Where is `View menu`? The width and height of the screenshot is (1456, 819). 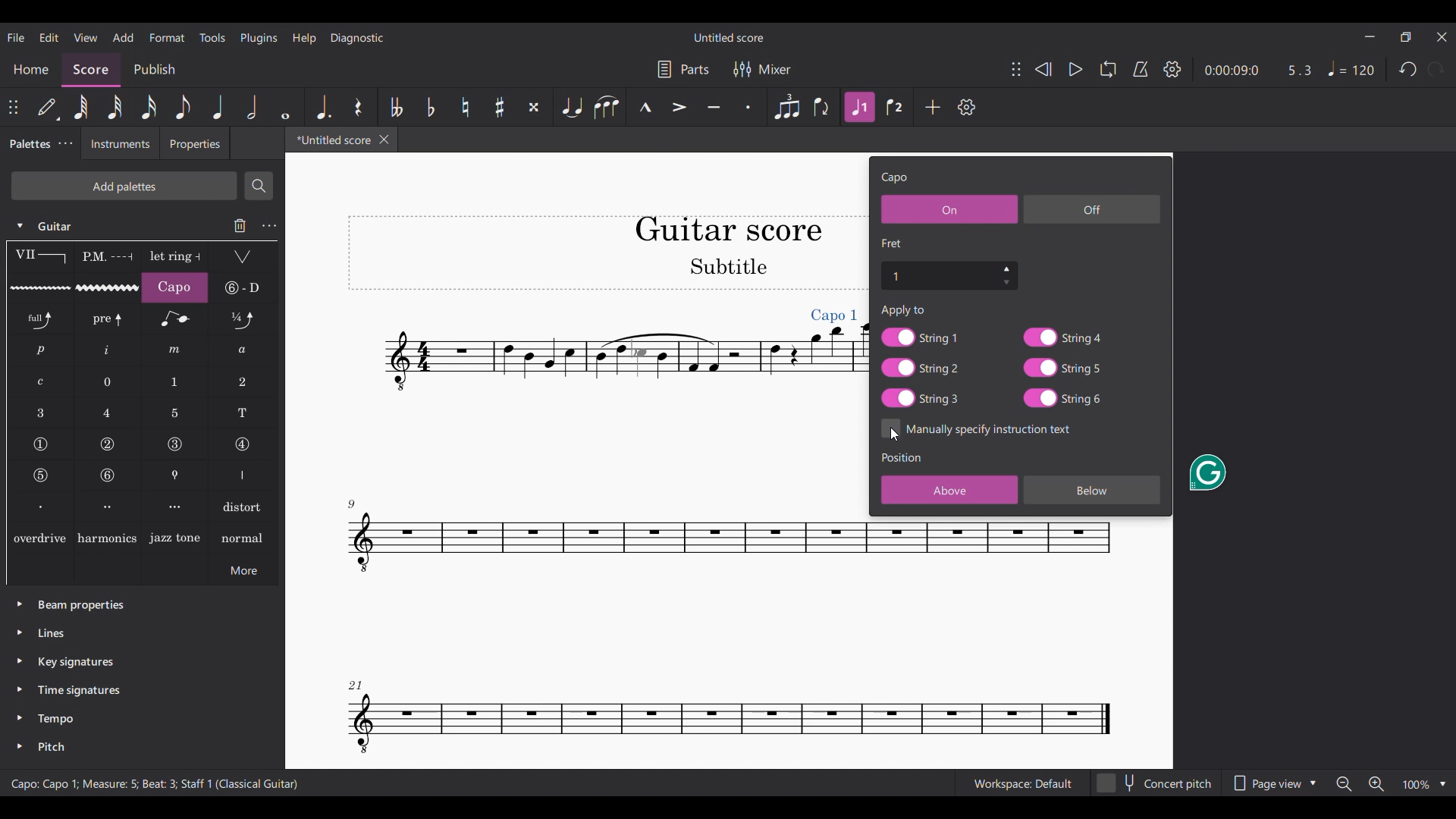
View menu is located at coordinates (86, 38).